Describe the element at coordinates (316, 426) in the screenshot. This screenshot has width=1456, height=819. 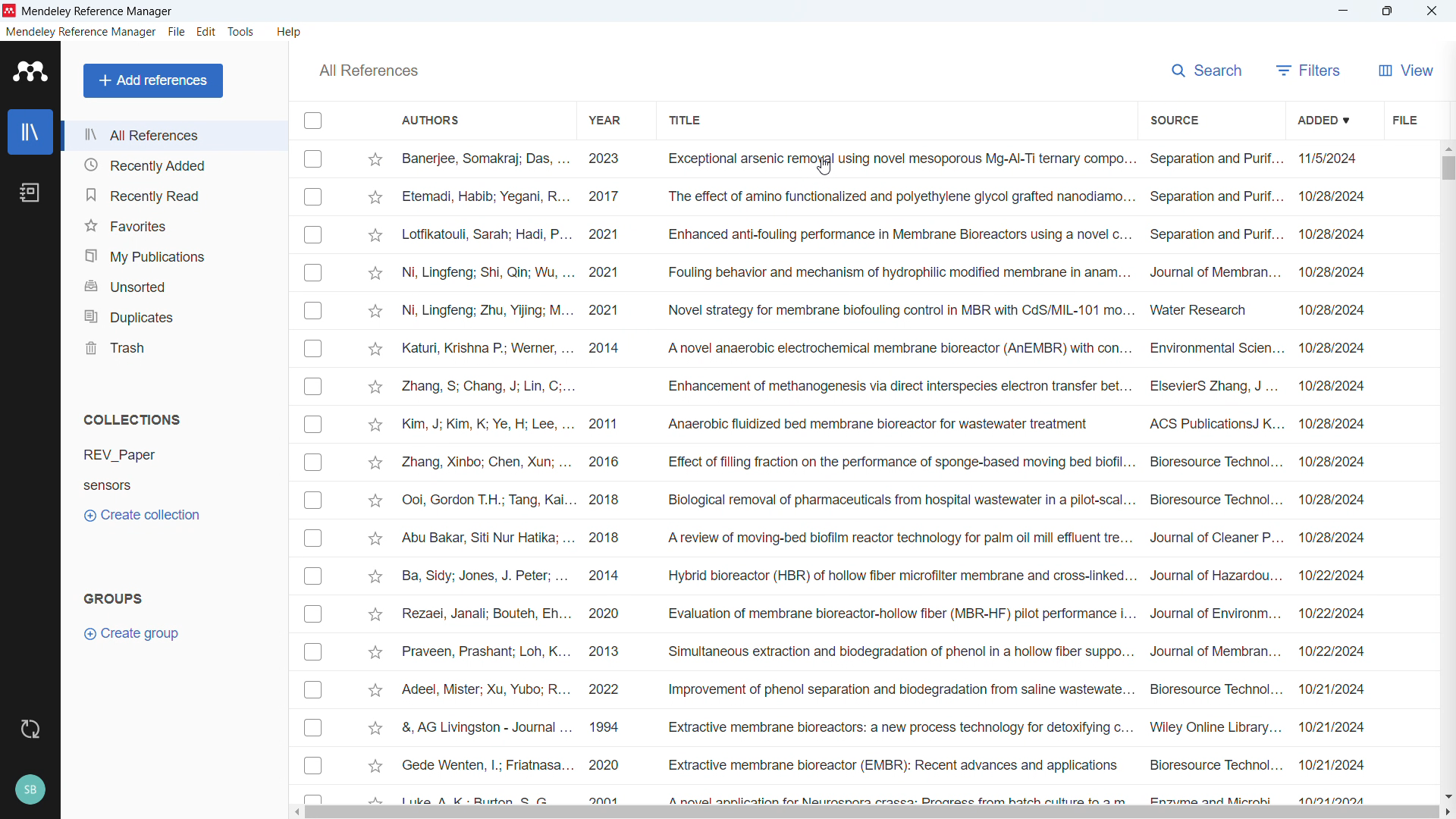
I see `click to select individual entry` at that location.